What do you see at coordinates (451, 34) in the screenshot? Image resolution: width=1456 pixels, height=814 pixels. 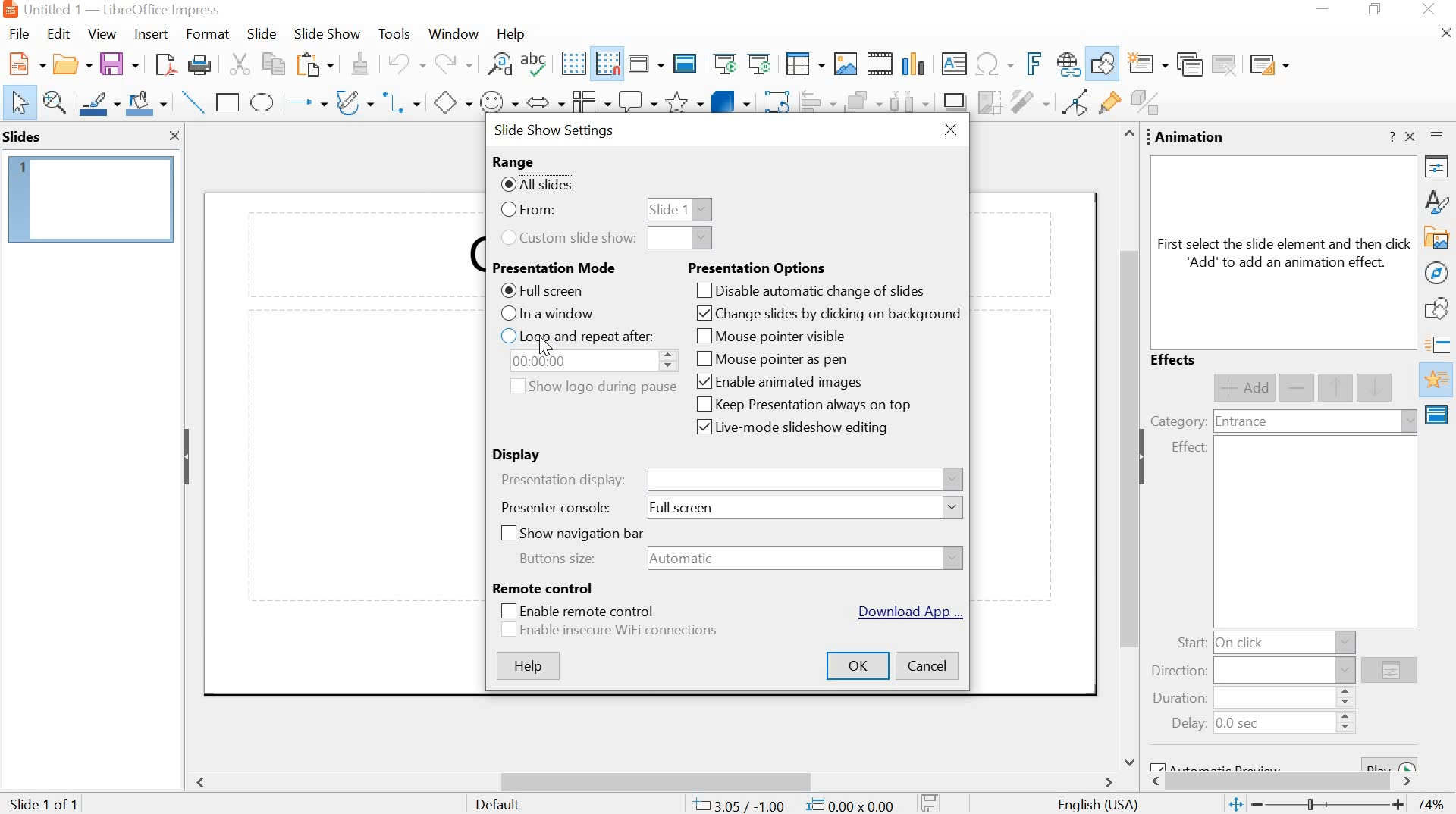 I see `window menu` at bounding box center [451, 34].